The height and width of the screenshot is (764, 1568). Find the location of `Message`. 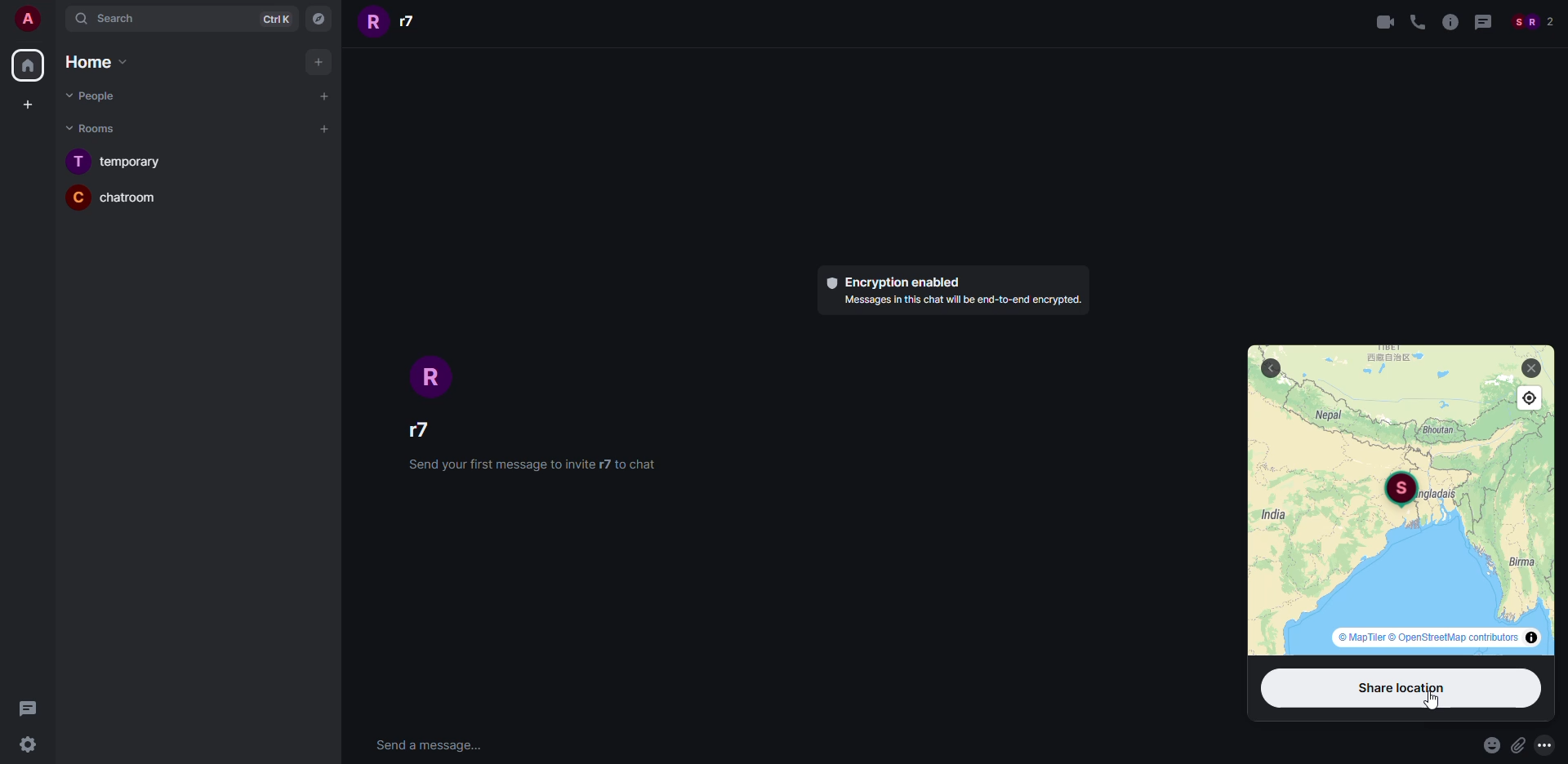

Message is located at coordinates (31, 709).